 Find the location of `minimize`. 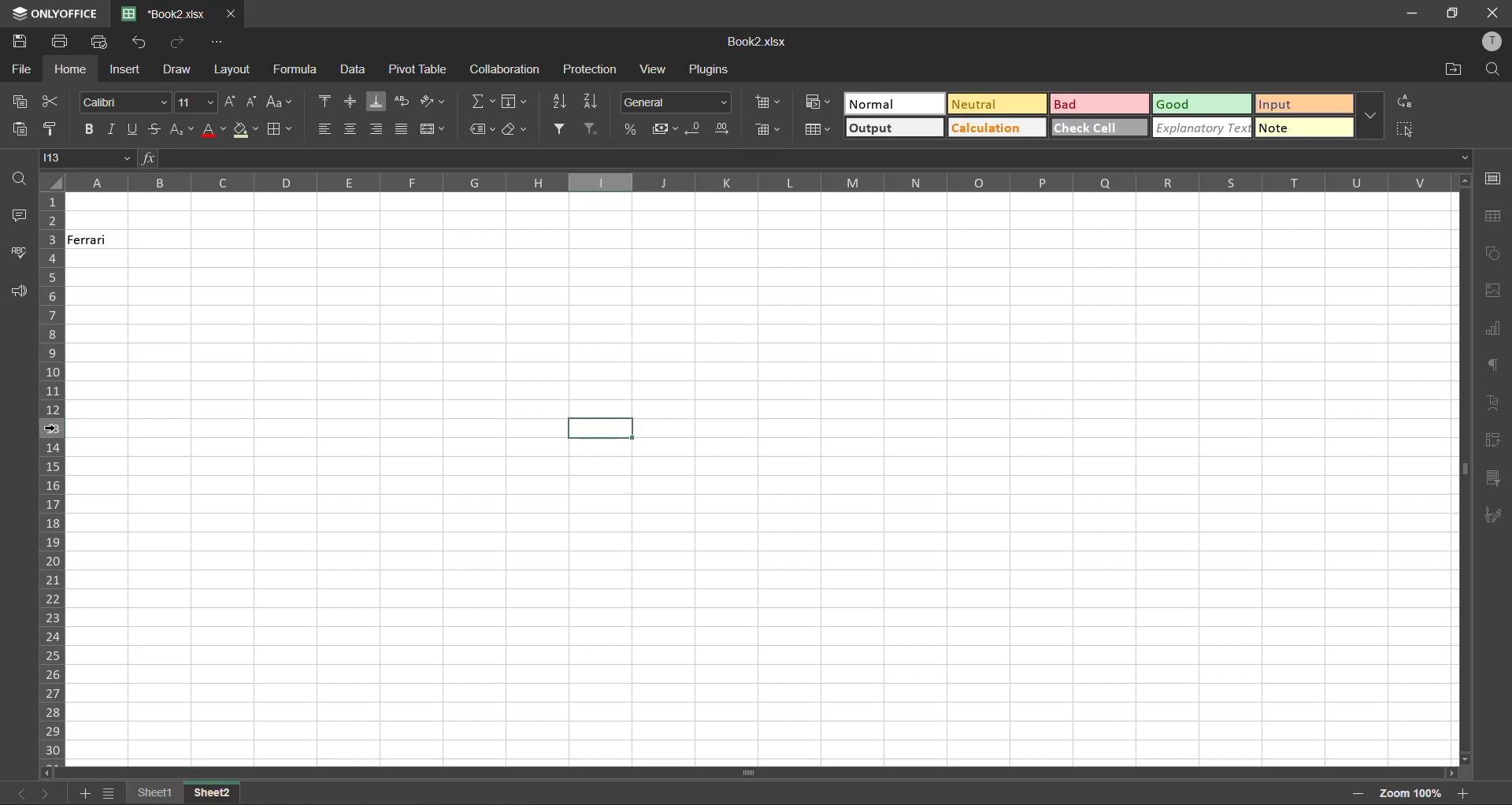

minimize is located at coordinates (1410, 12).